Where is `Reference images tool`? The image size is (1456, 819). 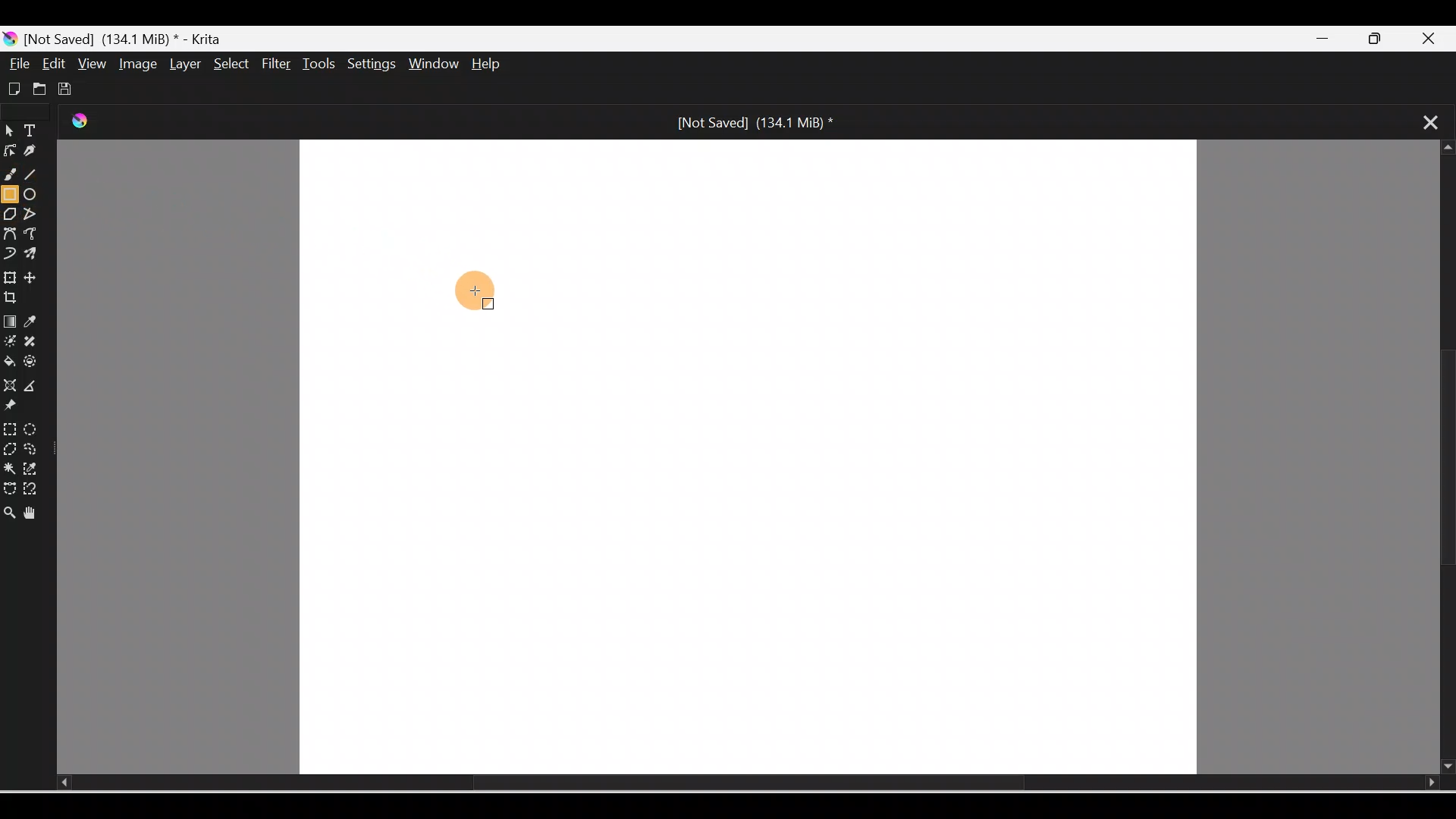 Reference images tool is located at coordinates (19, 408).